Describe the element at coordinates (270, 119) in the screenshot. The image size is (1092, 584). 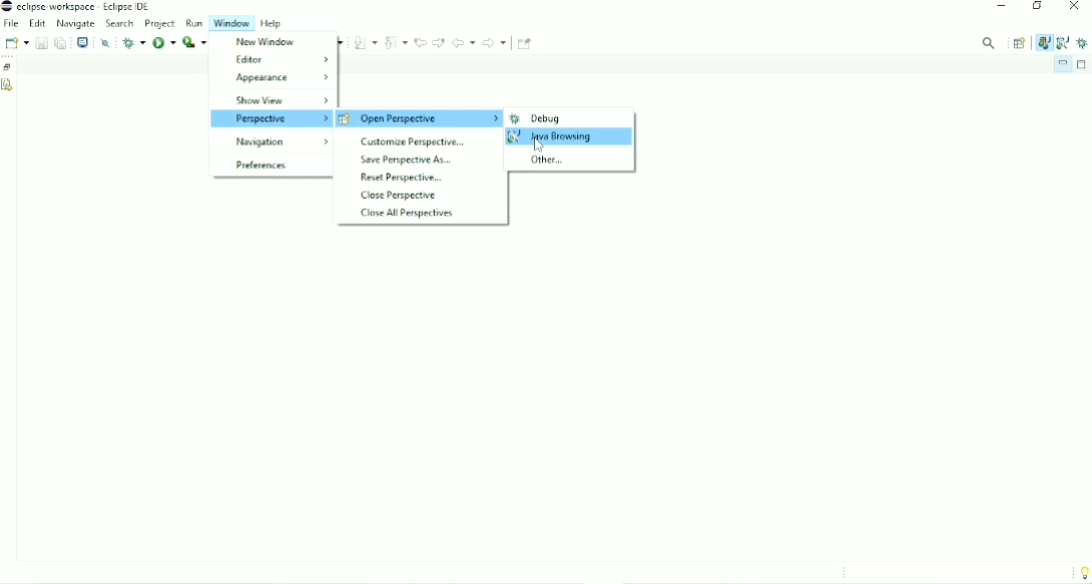
I see `Perspective` at that location.